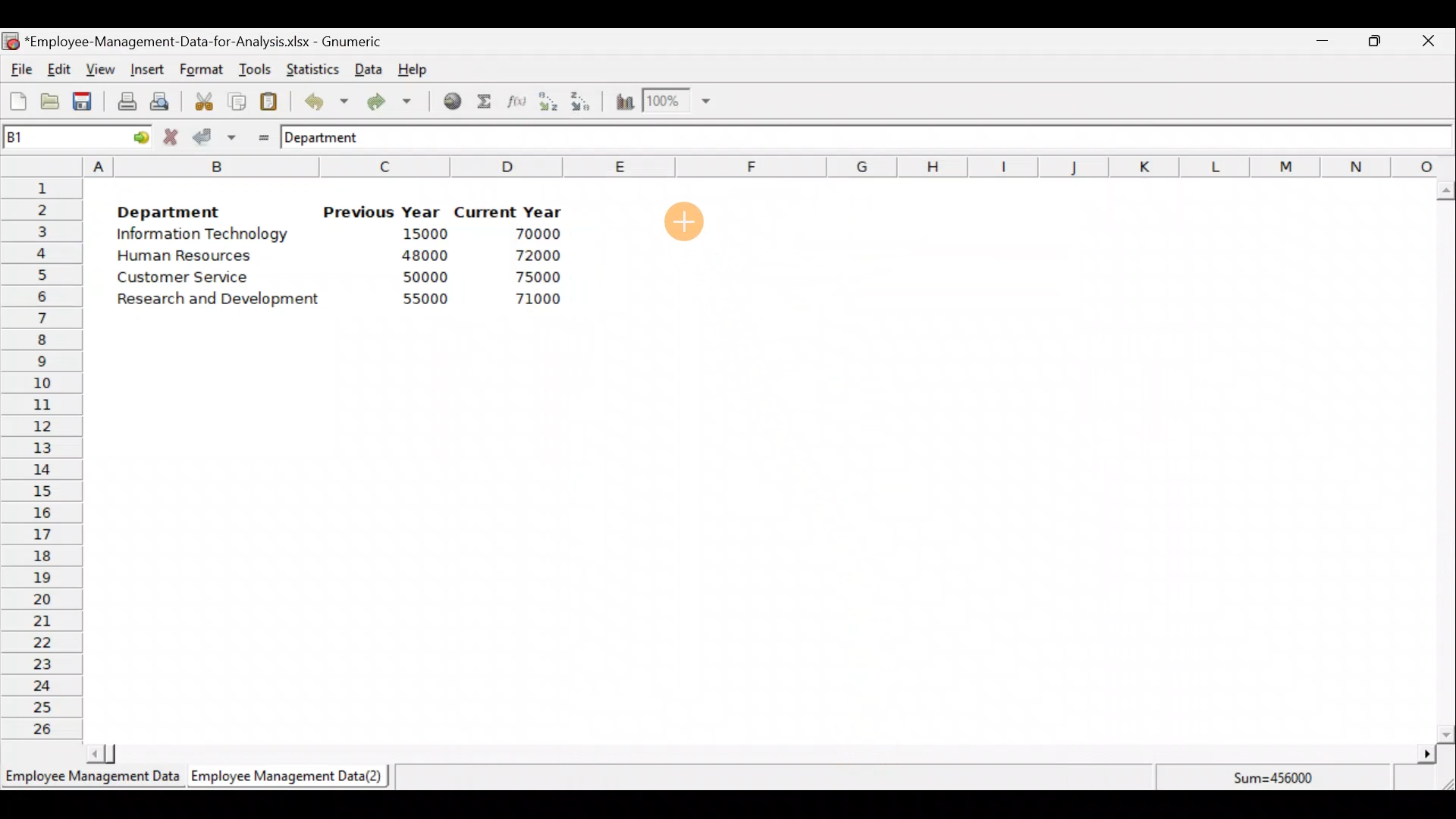 Image resolution: width=1456 pixels, height=819 pixels. I want to click on Gnumeric logo, so click(11, 42).